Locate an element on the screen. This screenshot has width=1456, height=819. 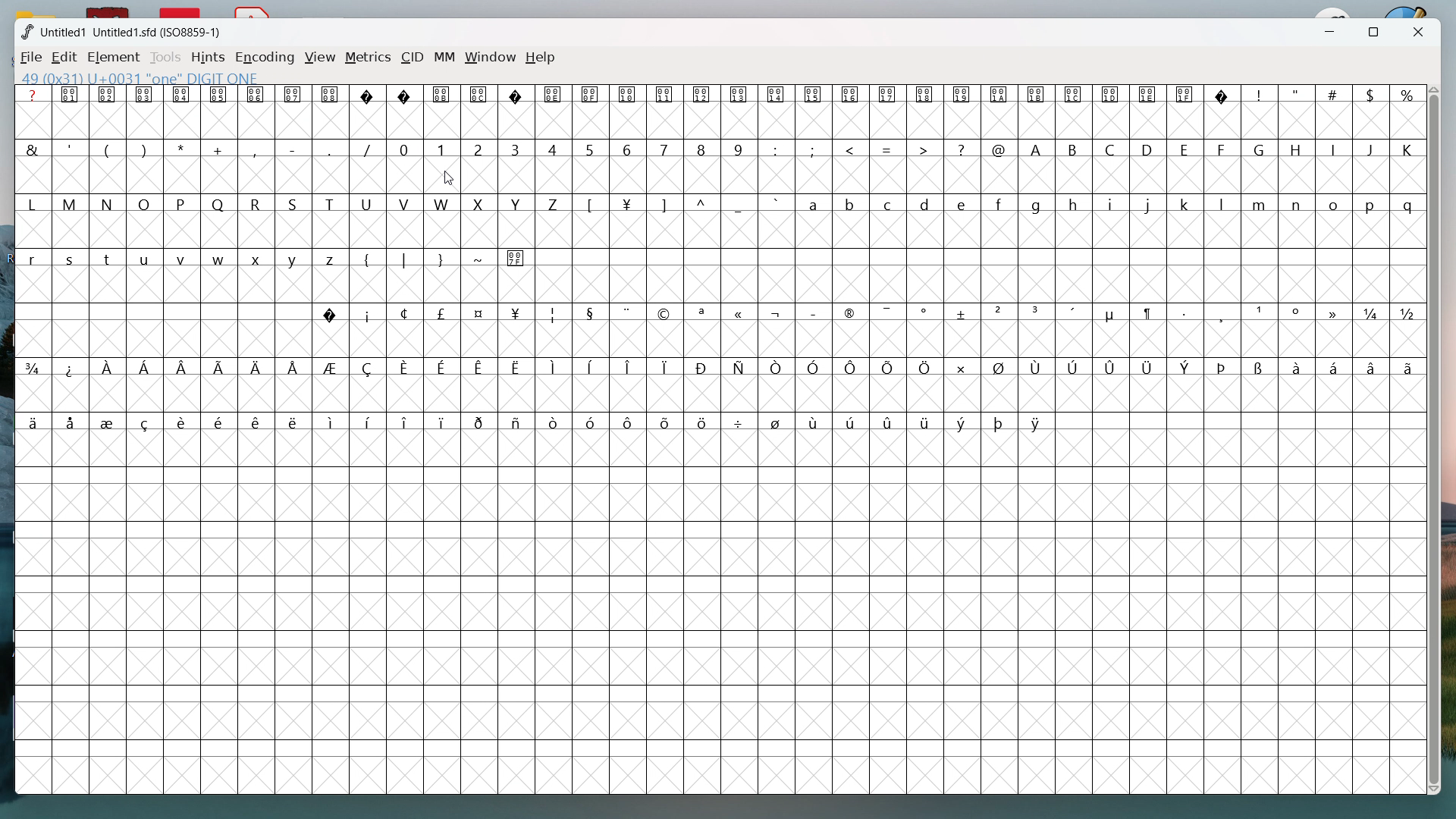
w is located at coordinates (221, 258).